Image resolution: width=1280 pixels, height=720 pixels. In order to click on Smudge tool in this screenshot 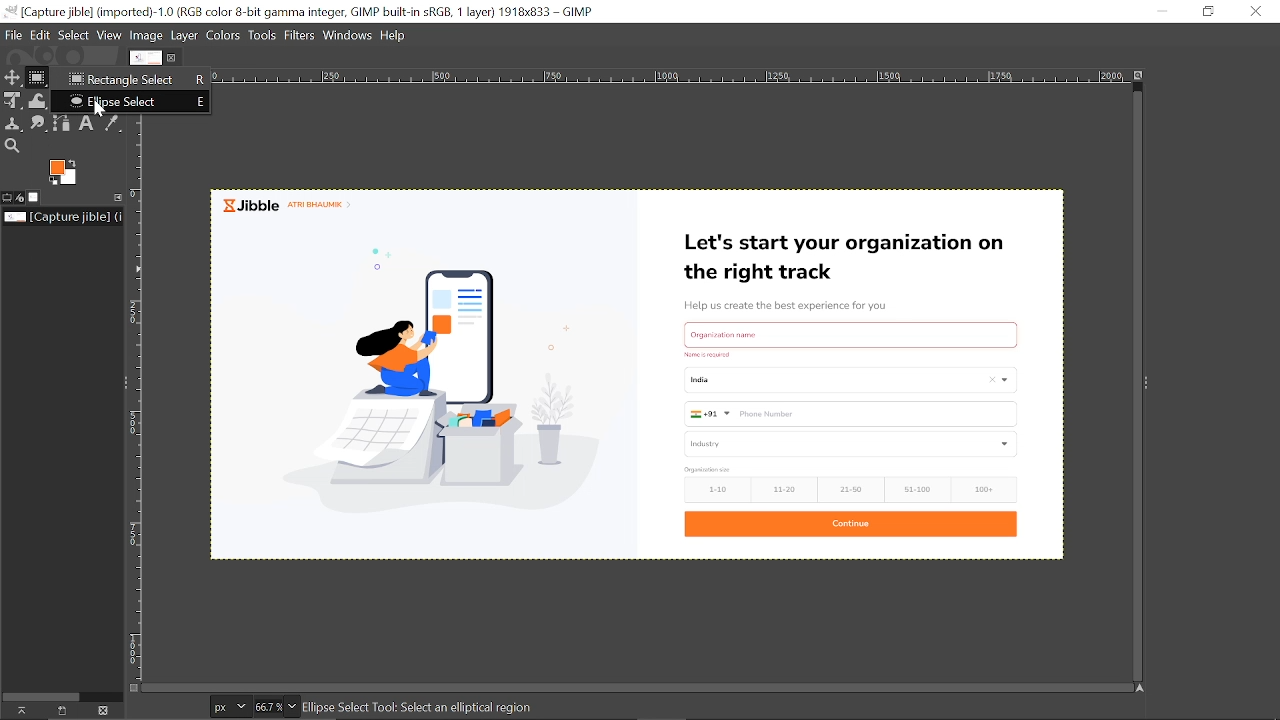, I will do `click(40, 123)`.